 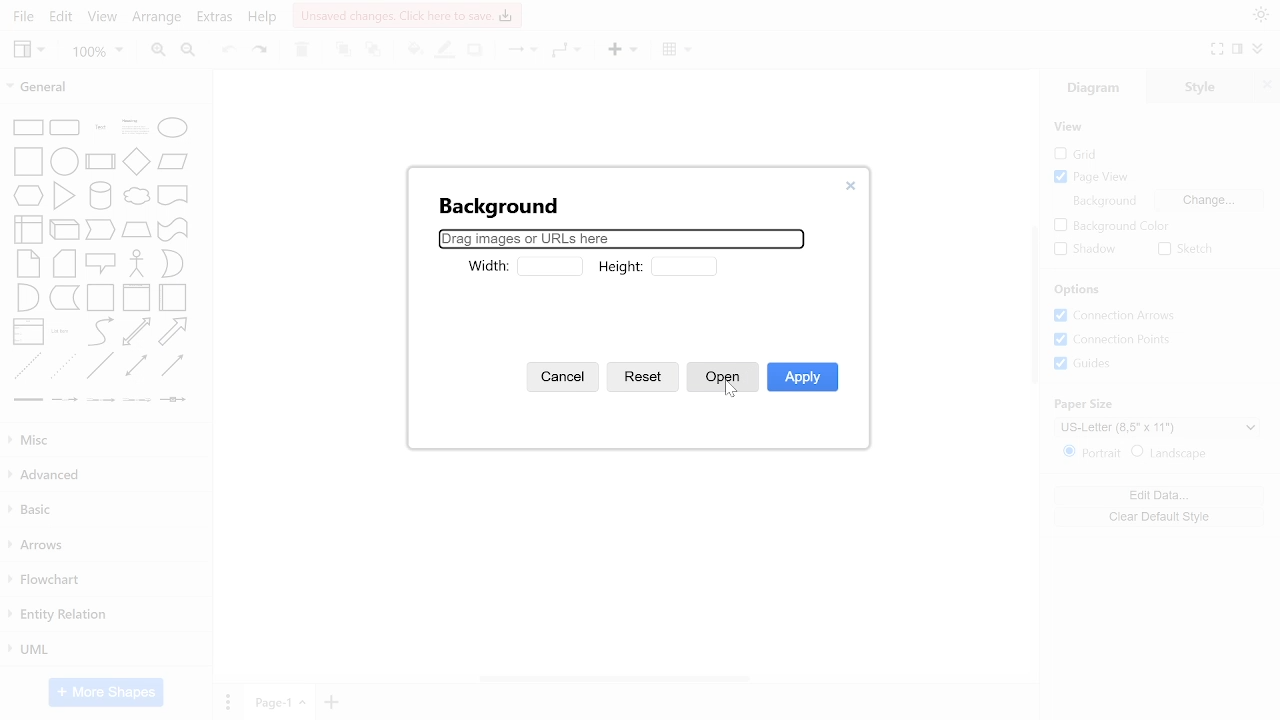 What do you see at coordinates (27, 330) in the screenshot?
I see `general shapes` at bounding box center [27, 330].